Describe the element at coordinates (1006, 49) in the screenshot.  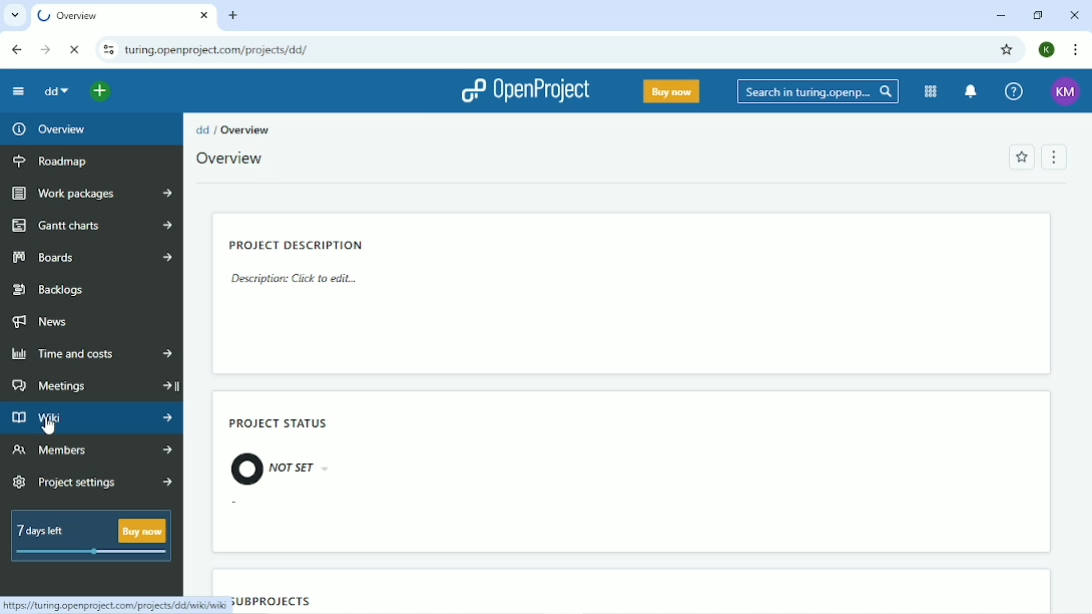
I see `Bookmark this tab` at that location.